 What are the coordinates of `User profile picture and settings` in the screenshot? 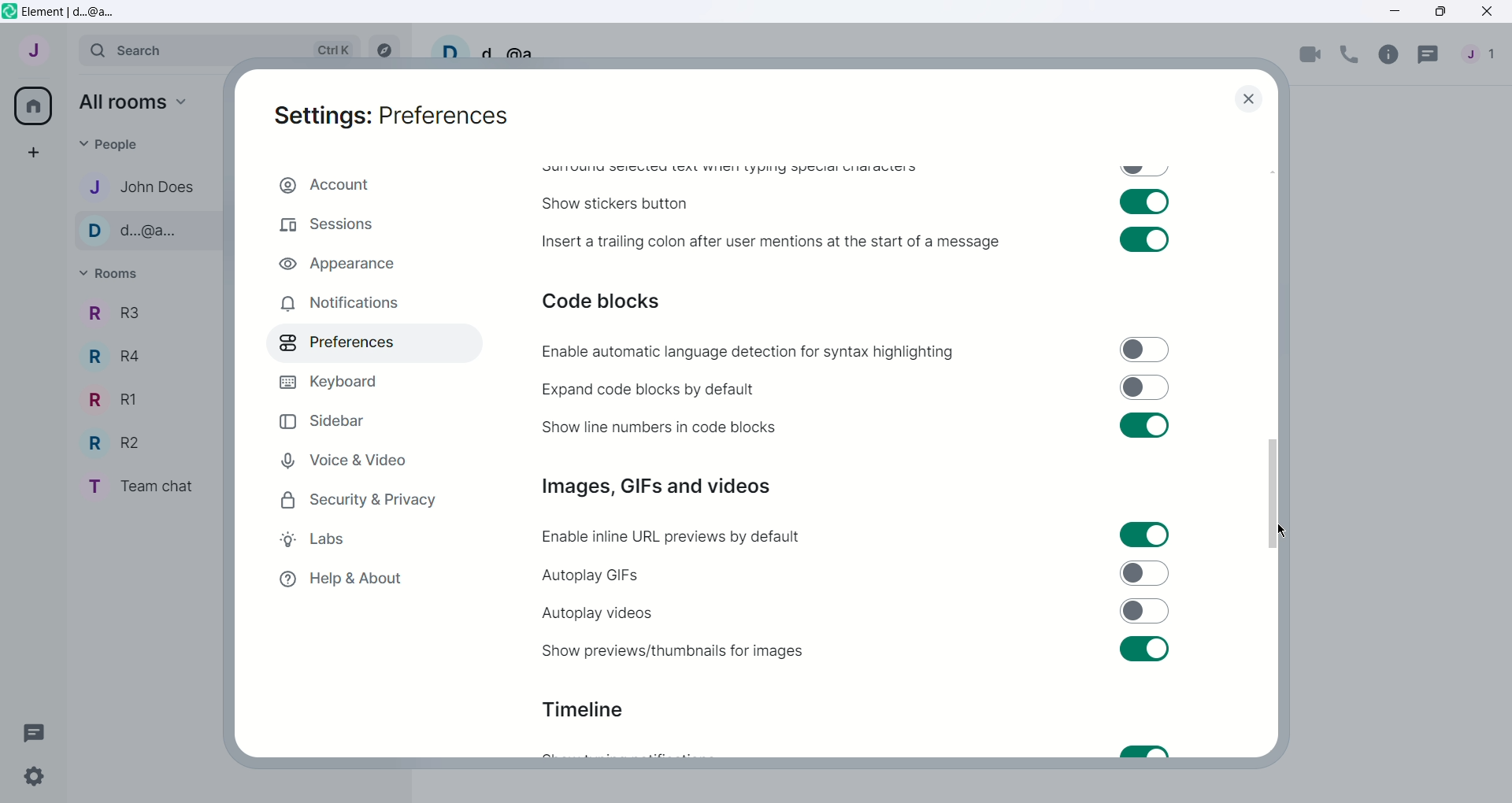 It's located at (450, 46).